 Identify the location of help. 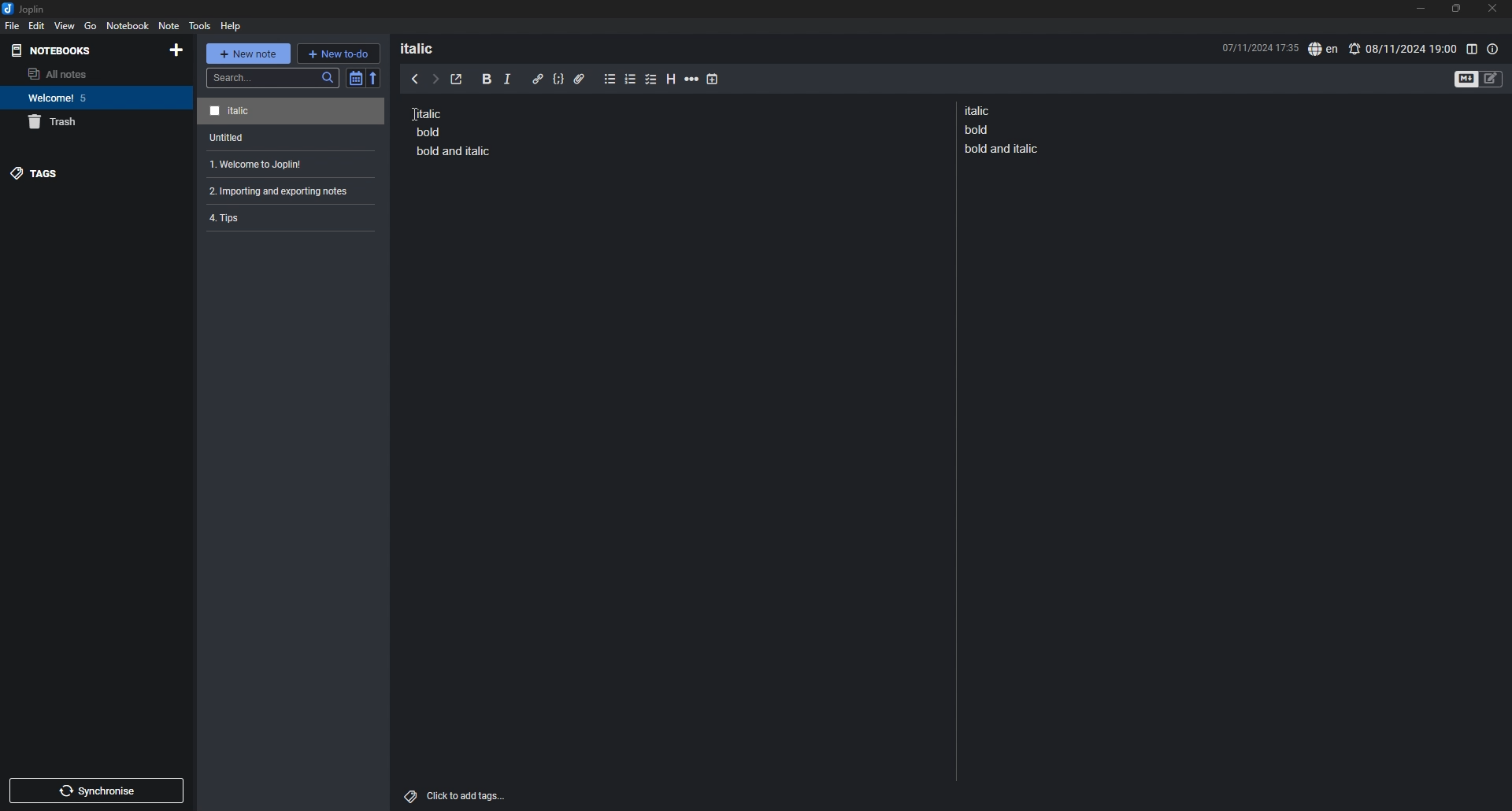
(232, 25).